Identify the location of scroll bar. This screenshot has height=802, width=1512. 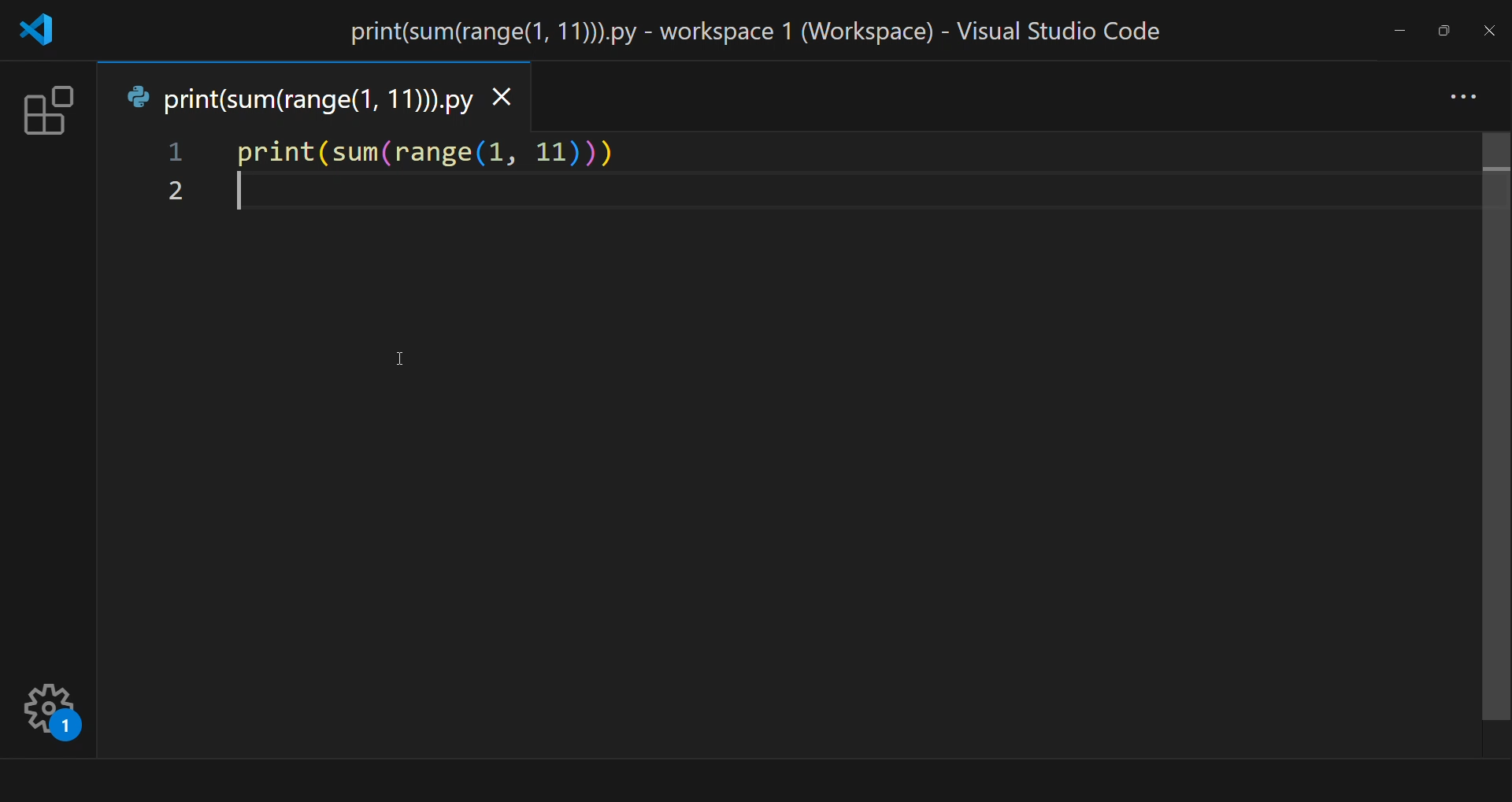
(1488, 426).